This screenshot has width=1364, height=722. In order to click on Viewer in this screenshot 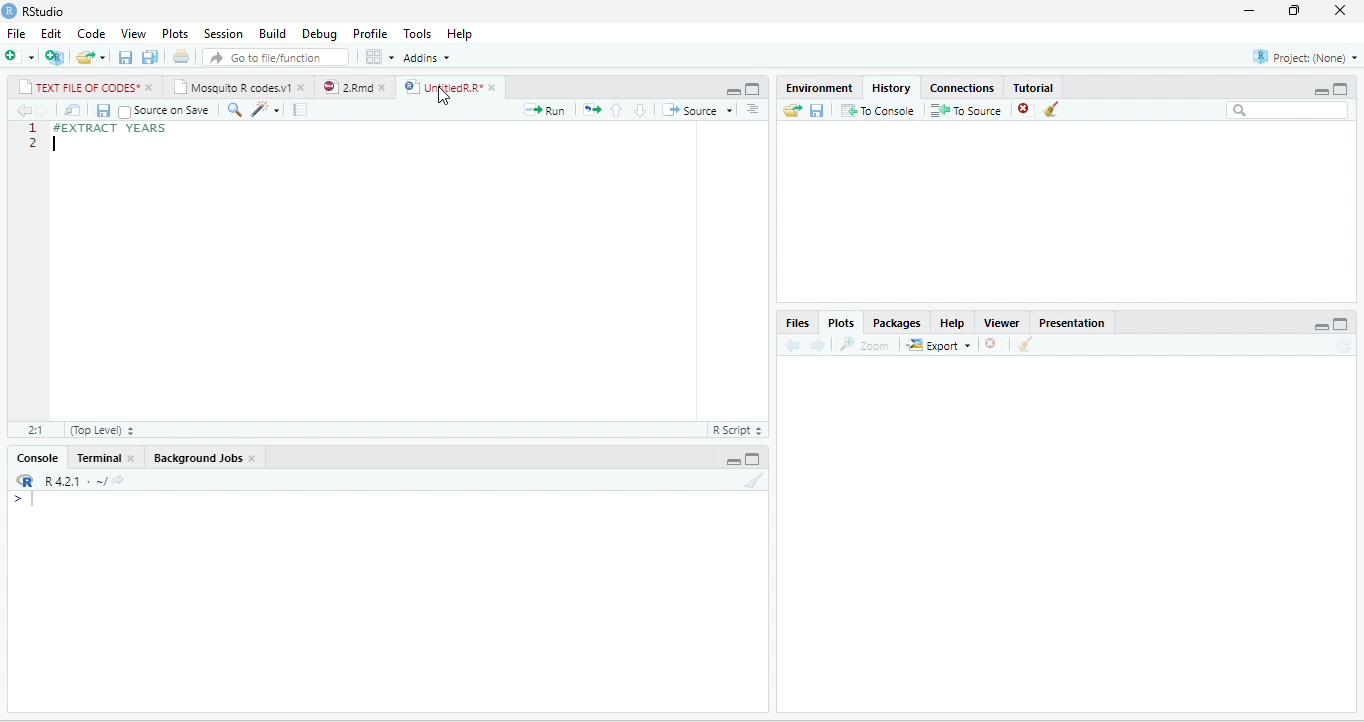, I will do `click(1001, 323)`.